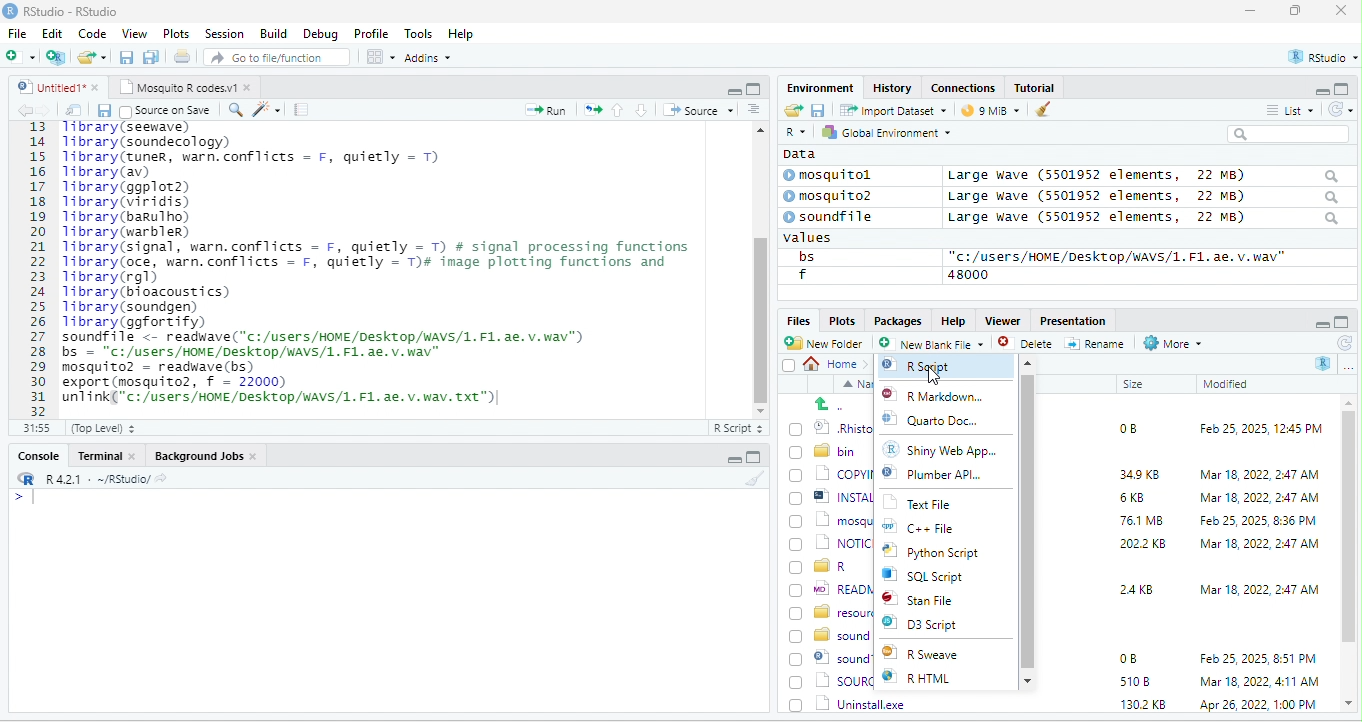  I want to click on Feb 25, 2025, 8:36 PM, so click(1254, 520).